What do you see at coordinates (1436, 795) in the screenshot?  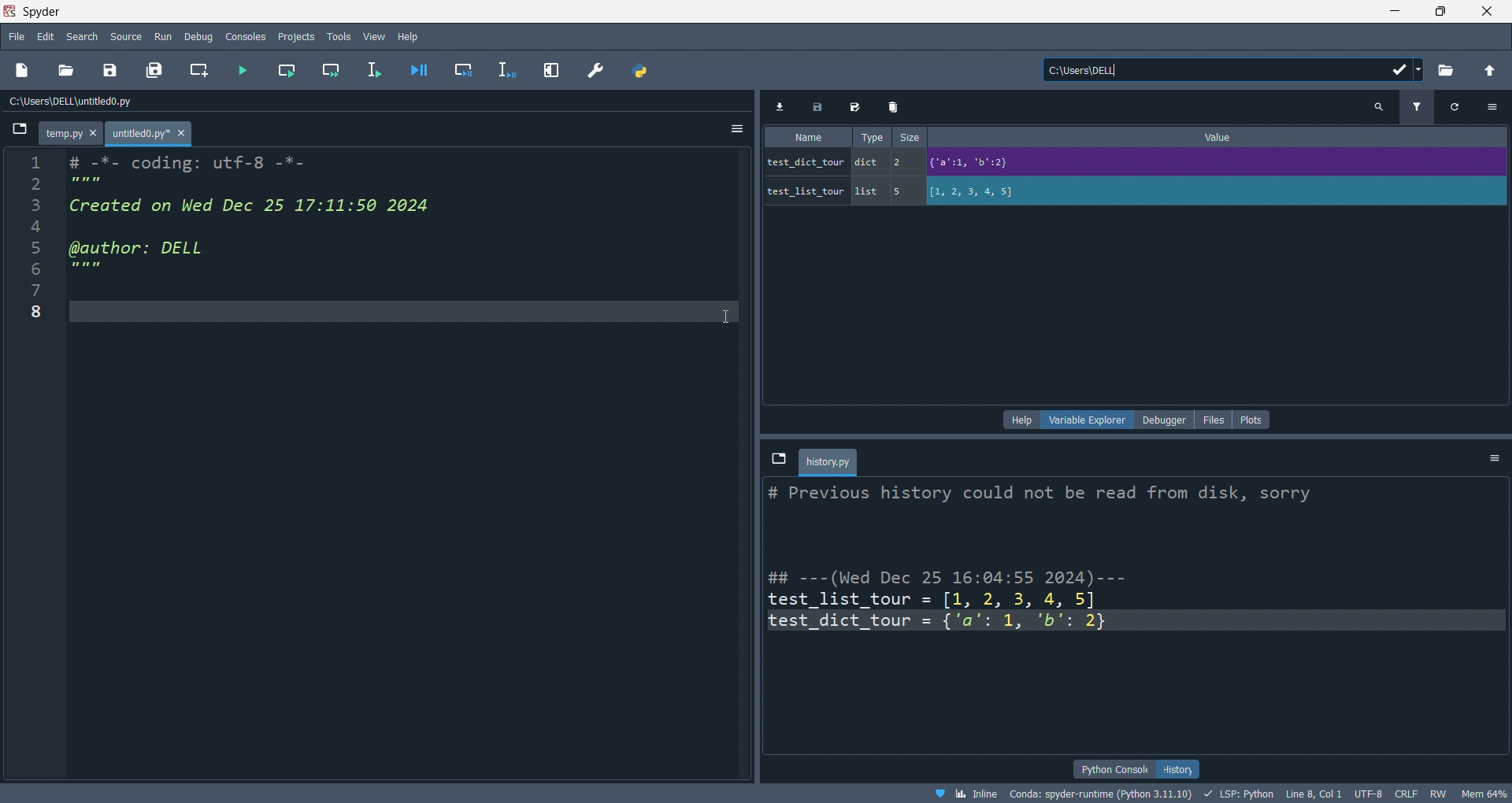 I see `rw` at bounding box center [1436, 795].